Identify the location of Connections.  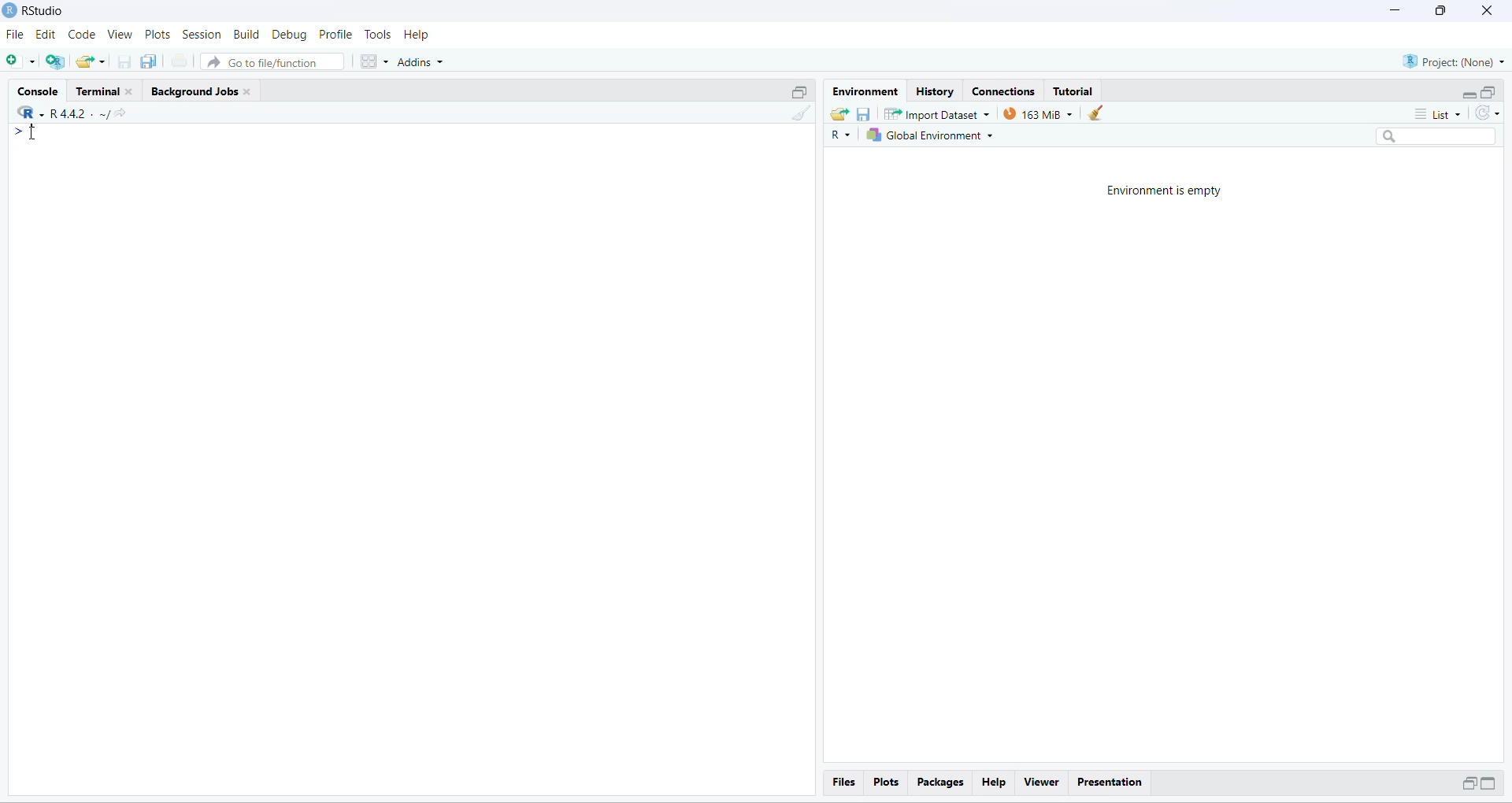
(1002, 90).